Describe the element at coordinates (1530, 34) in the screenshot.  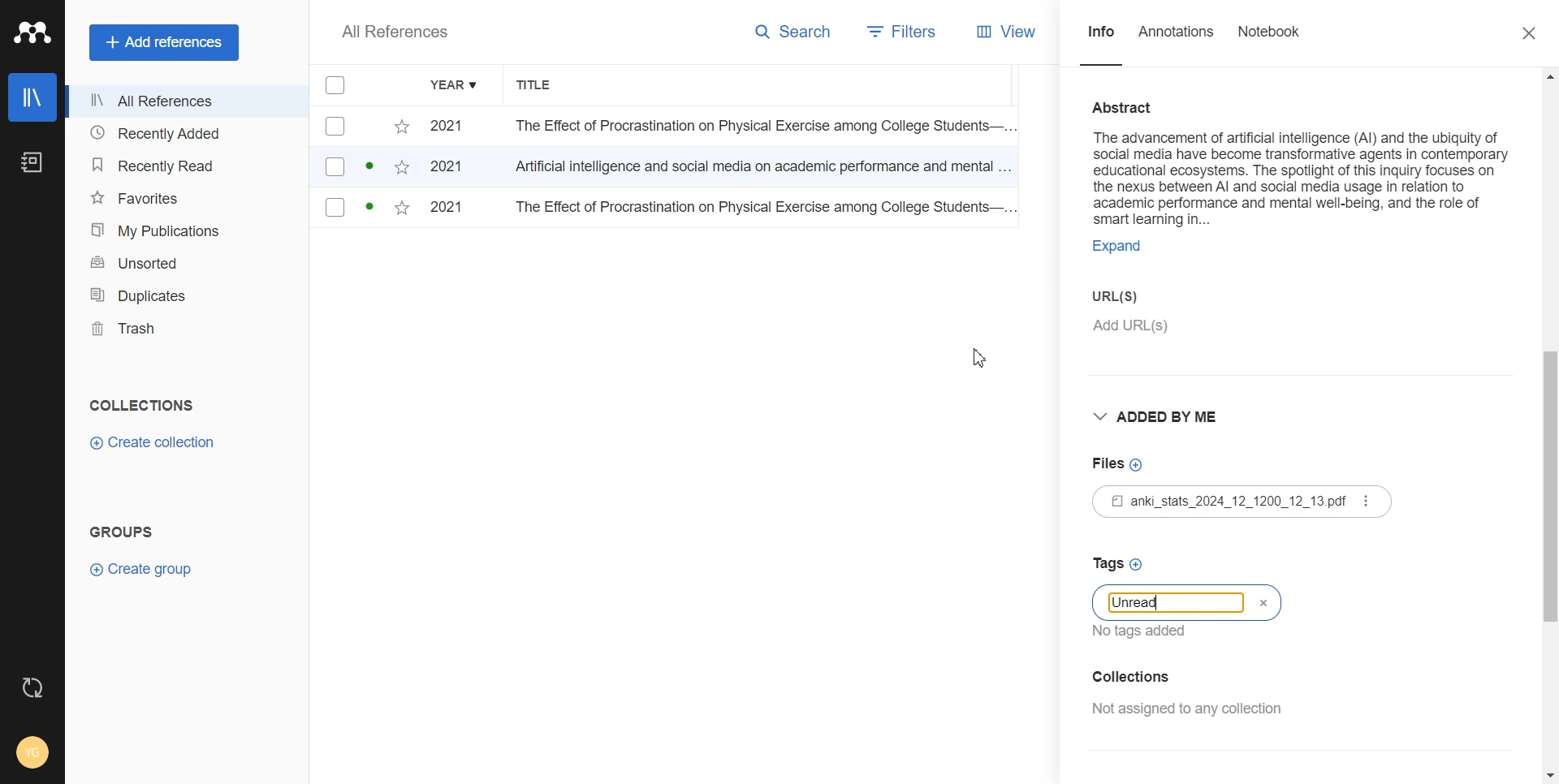
I see `Close` at that location.